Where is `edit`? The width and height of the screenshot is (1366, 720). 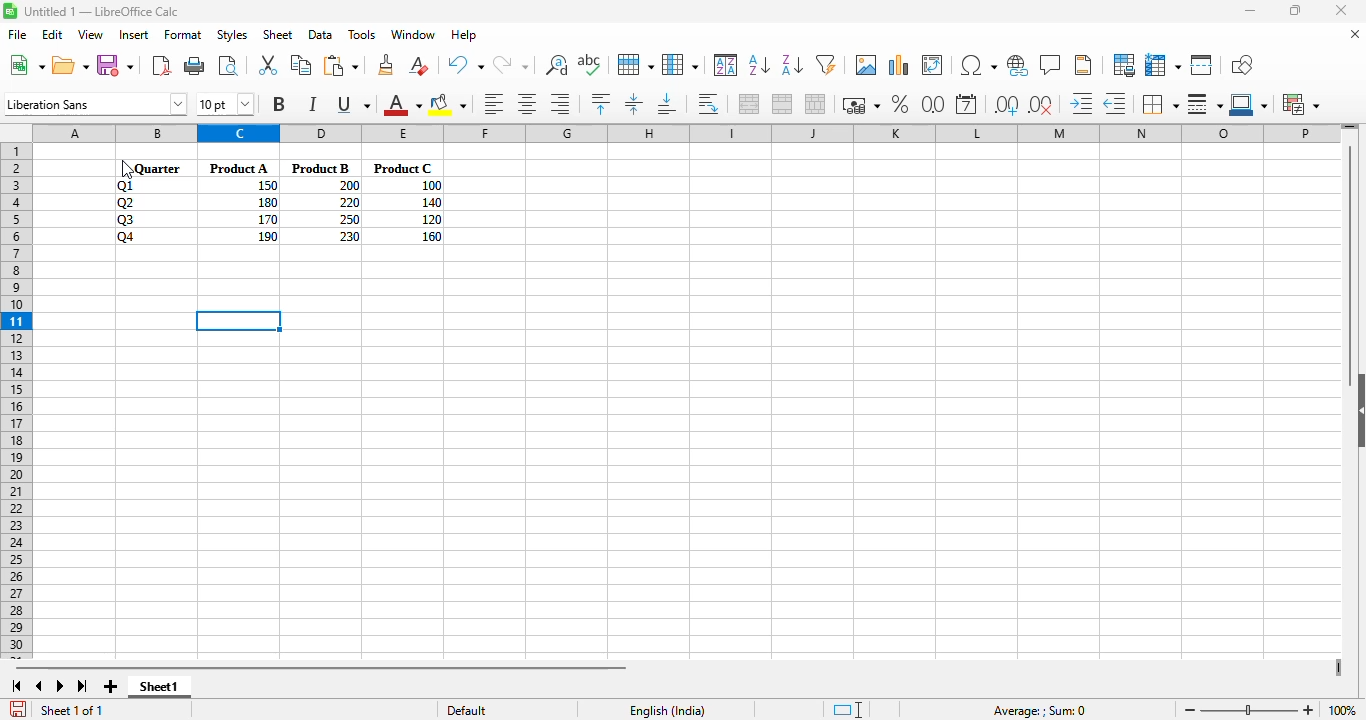
edit is located at coordinates (53, 34).